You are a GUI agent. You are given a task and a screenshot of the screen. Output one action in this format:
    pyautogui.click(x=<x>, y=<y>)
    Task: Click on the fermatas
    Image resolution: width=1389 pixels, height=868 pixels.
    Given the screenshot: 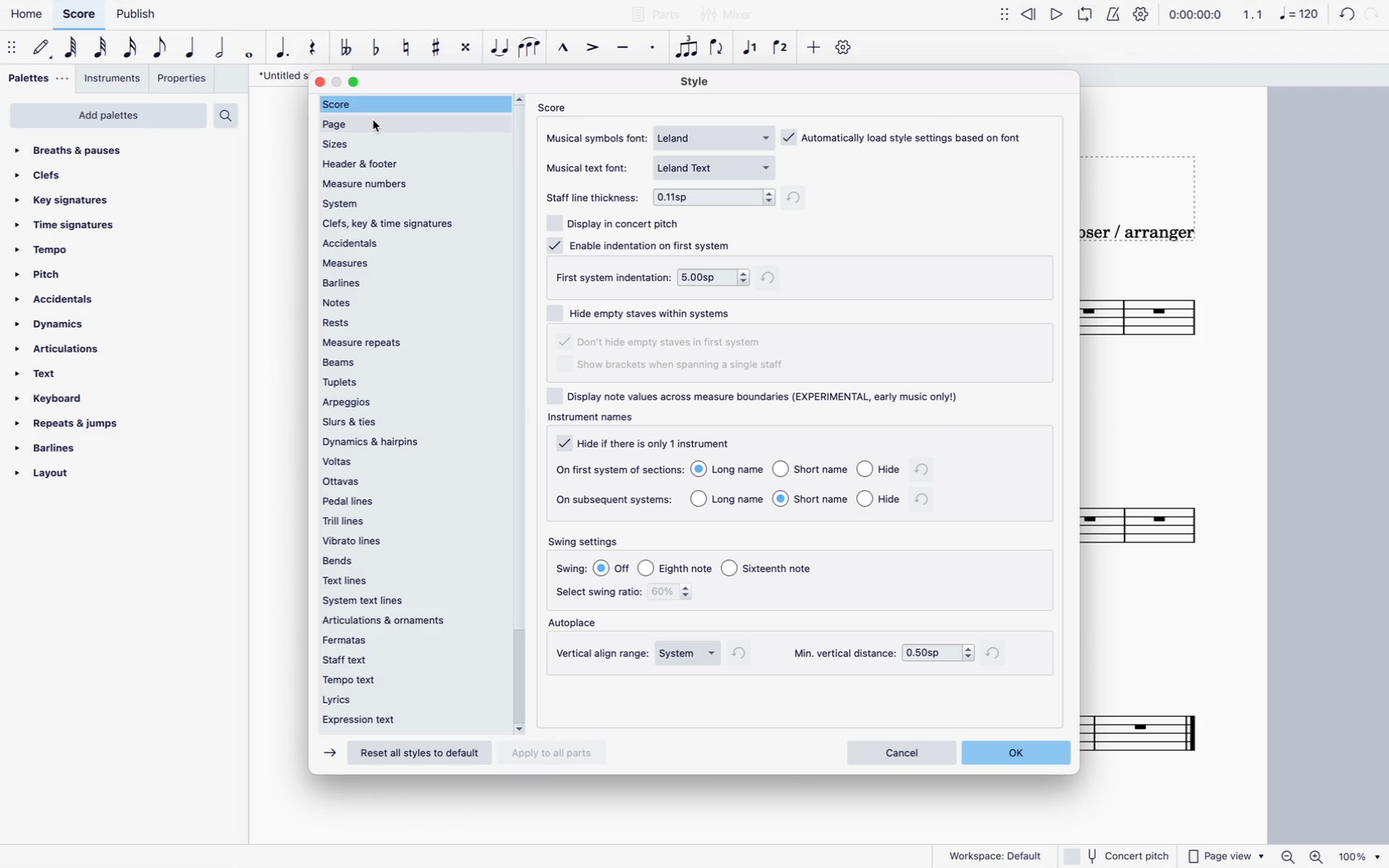 What is the action you would take?
    pyautogui.click(x=399, y=640)
    